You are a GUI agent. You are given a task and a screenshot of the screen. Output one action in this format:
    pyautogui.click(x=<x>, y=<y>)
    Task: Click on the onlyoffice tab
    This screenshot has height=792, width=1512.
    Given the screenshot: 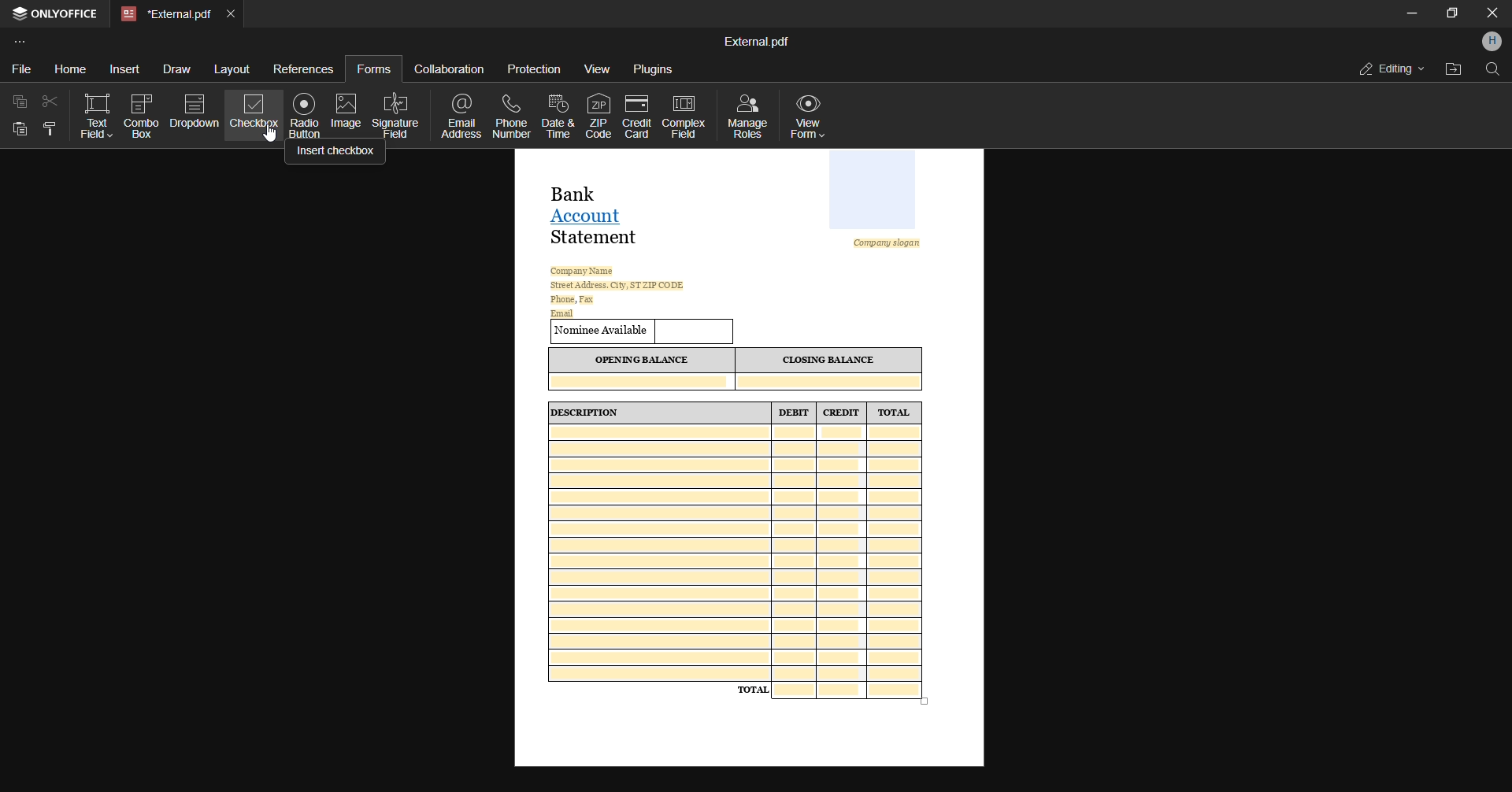 What is the action you would take?
    pyautogui.click(x=57, y=15)
    